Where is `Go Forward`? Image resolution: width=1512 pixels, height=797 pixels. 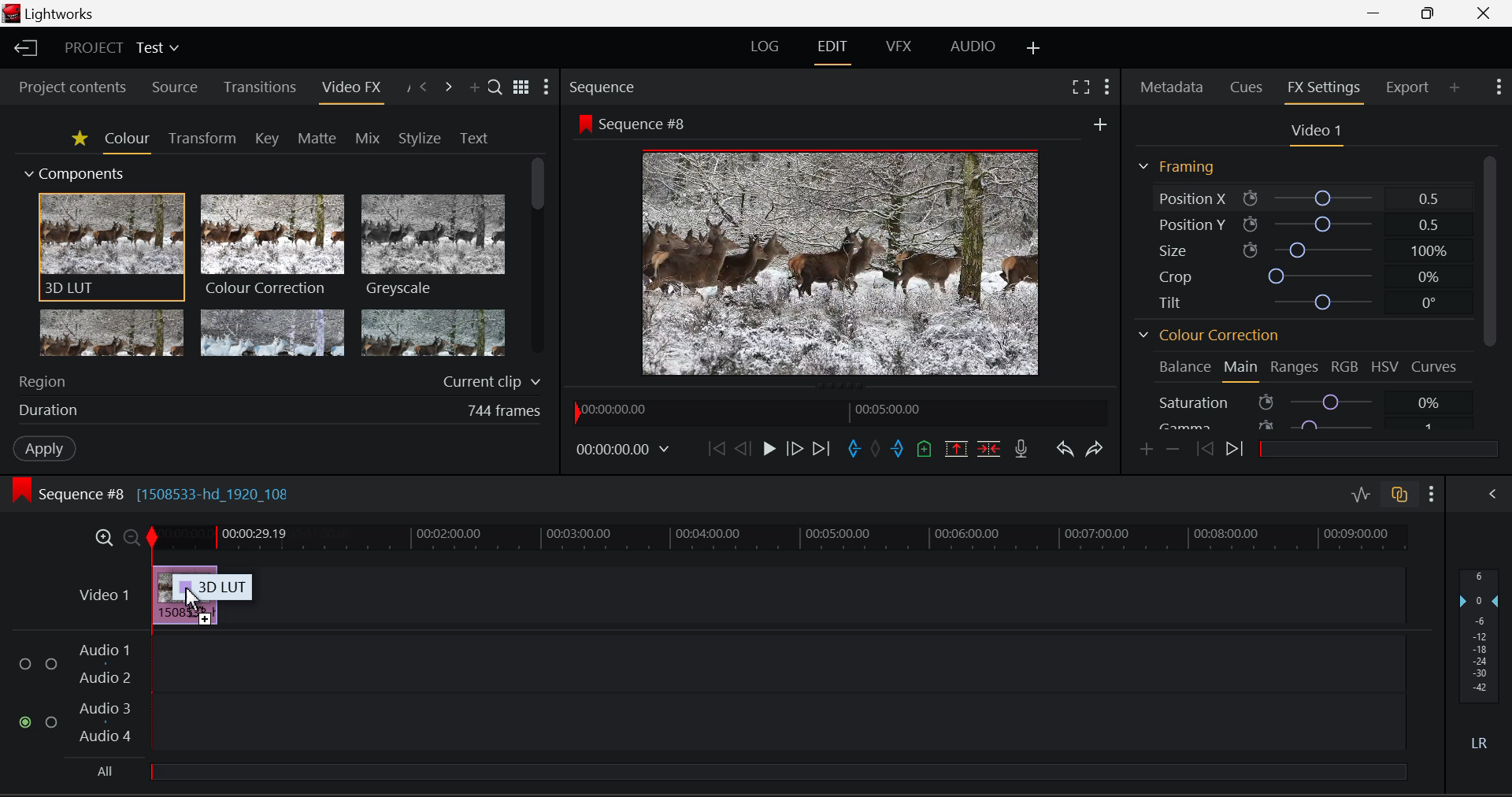
Go Forward is located at coordinates (795, 451).